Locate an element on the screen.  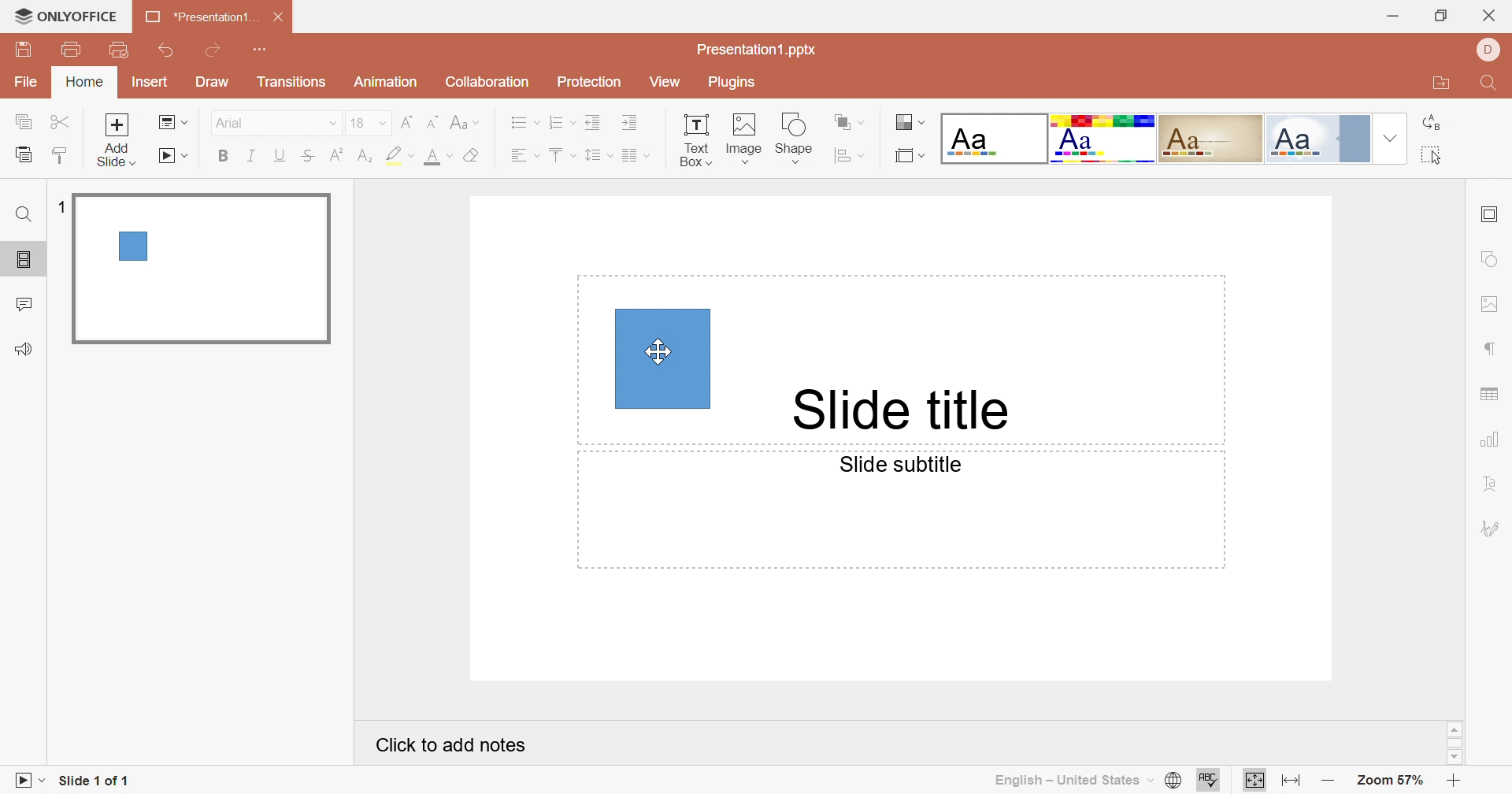
Slide 1 is located at coordinates (205, 270).